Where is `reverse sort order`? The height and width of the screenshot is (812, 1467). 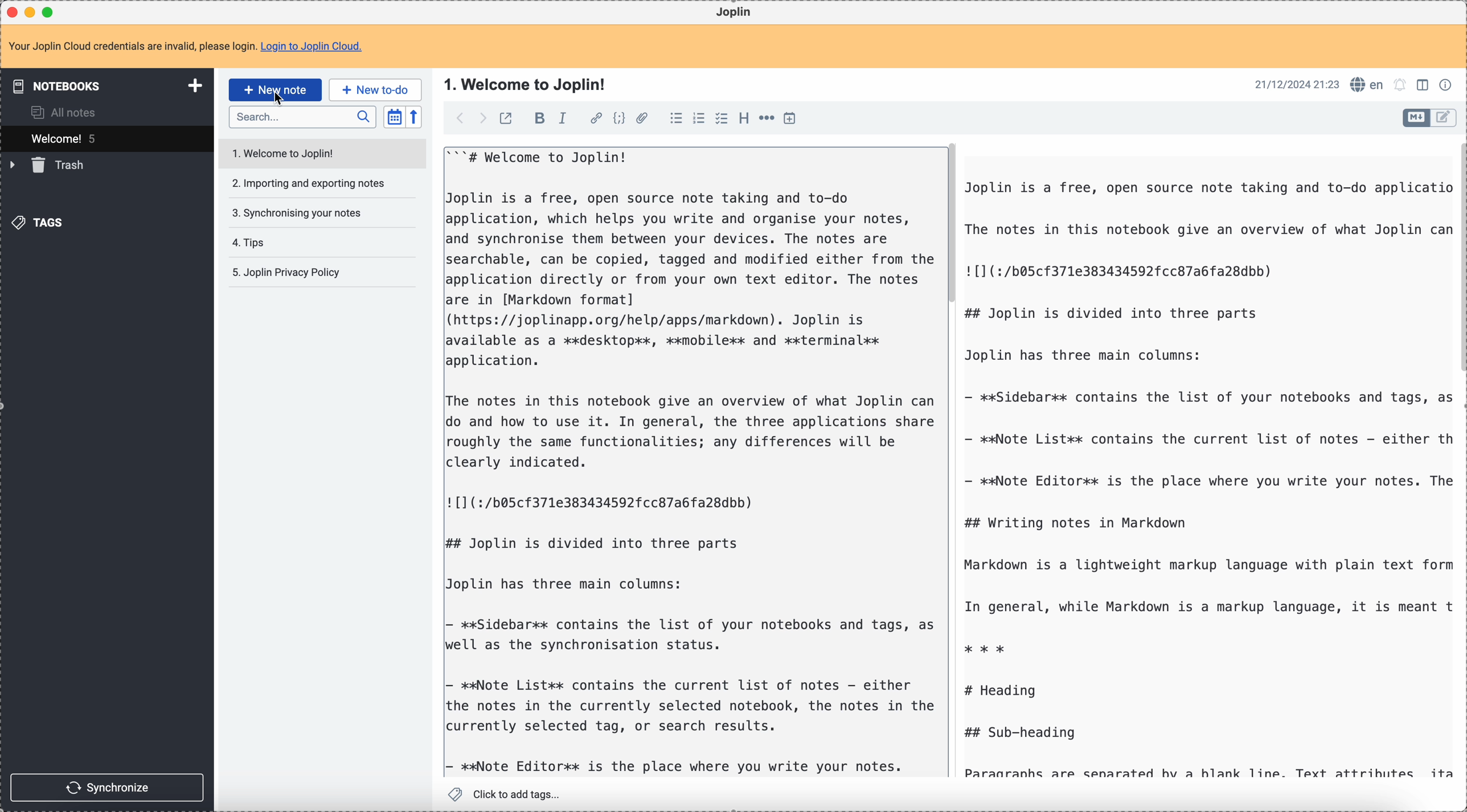
reverse sort order is located at coordinates (413, 118).